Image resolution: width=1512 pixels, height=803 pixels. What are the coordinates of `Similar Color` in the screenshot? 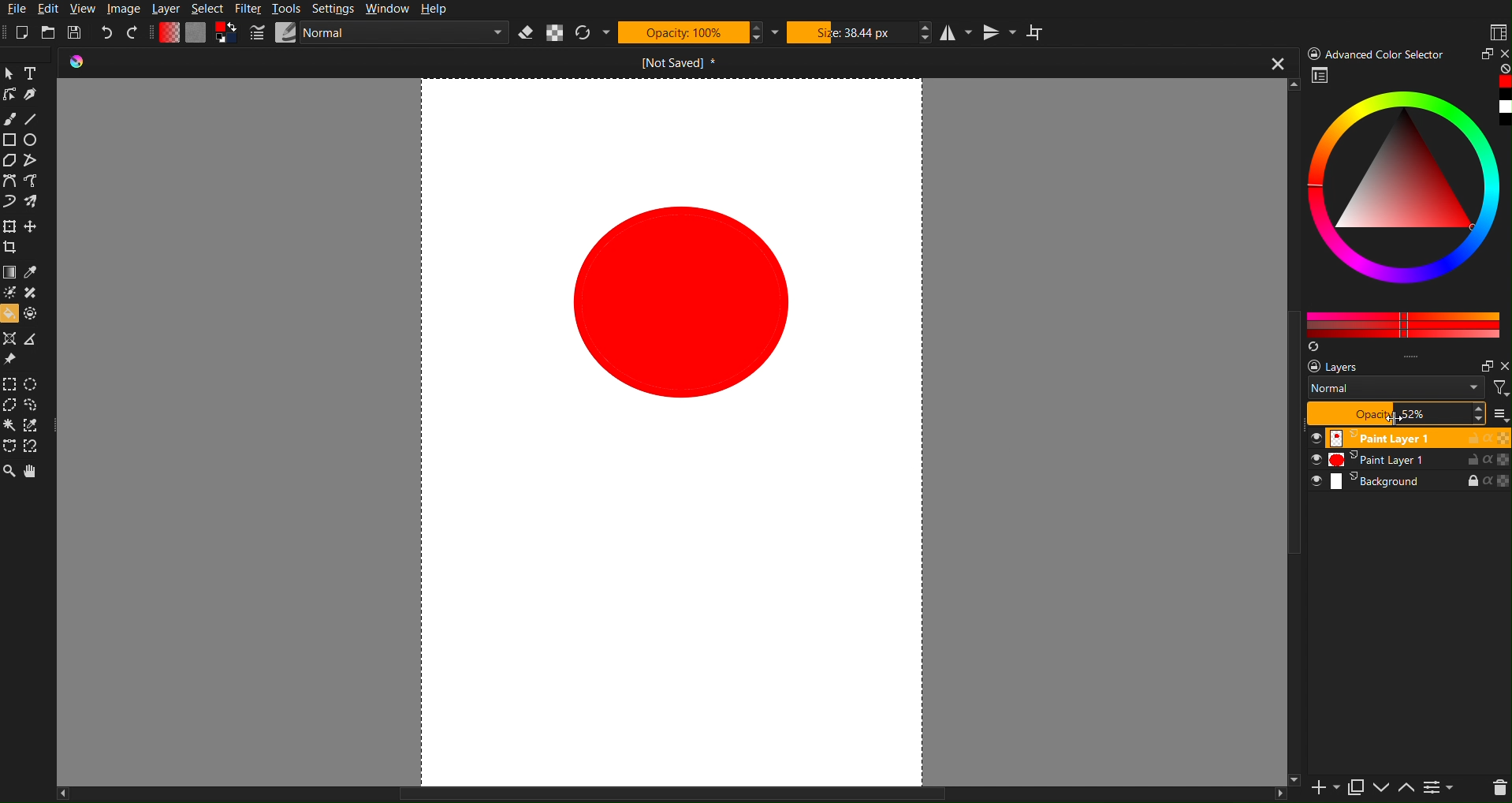 It's located at (34, 427).